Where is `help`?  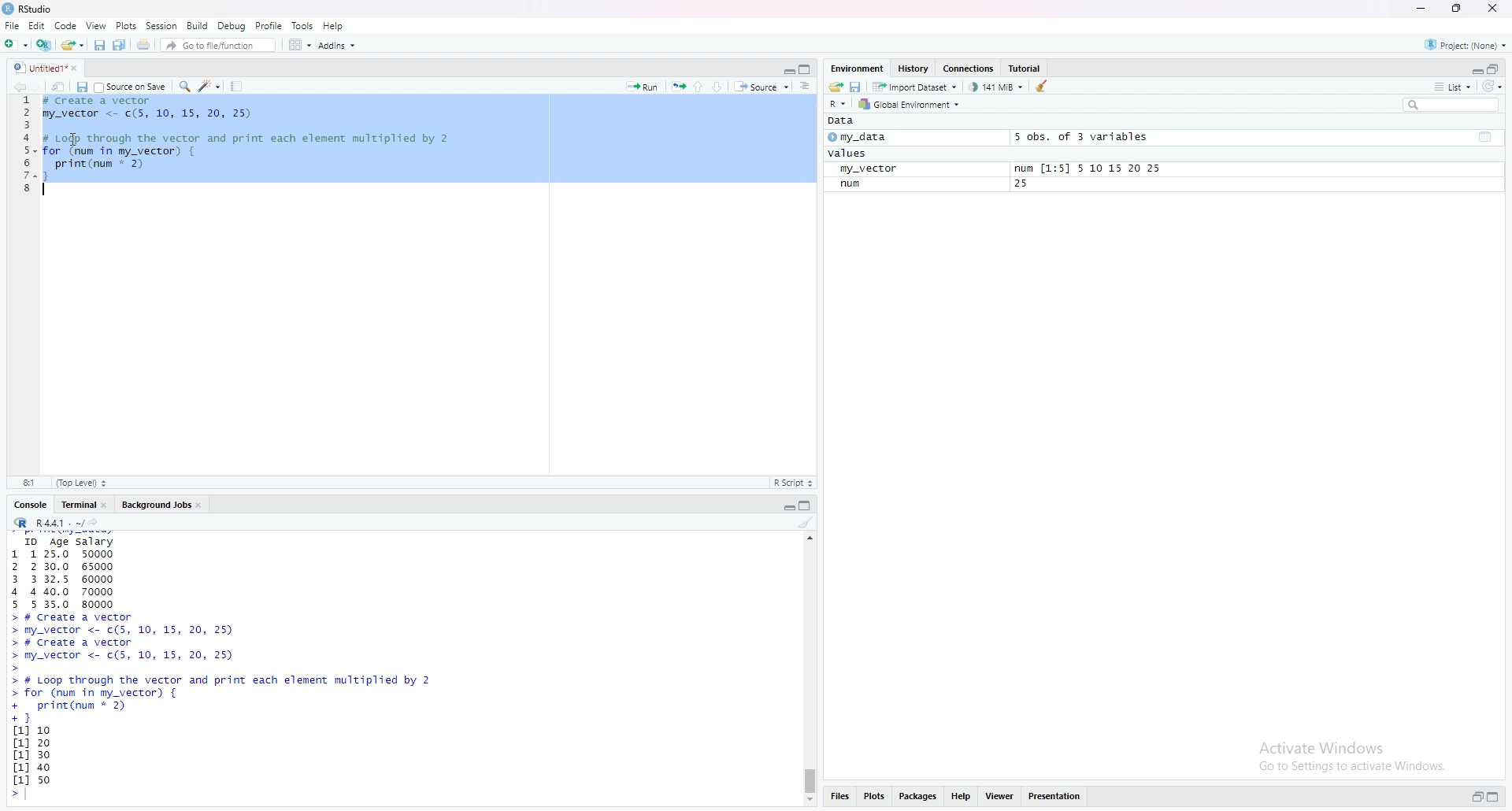
help is located at coordinates (333, 26).